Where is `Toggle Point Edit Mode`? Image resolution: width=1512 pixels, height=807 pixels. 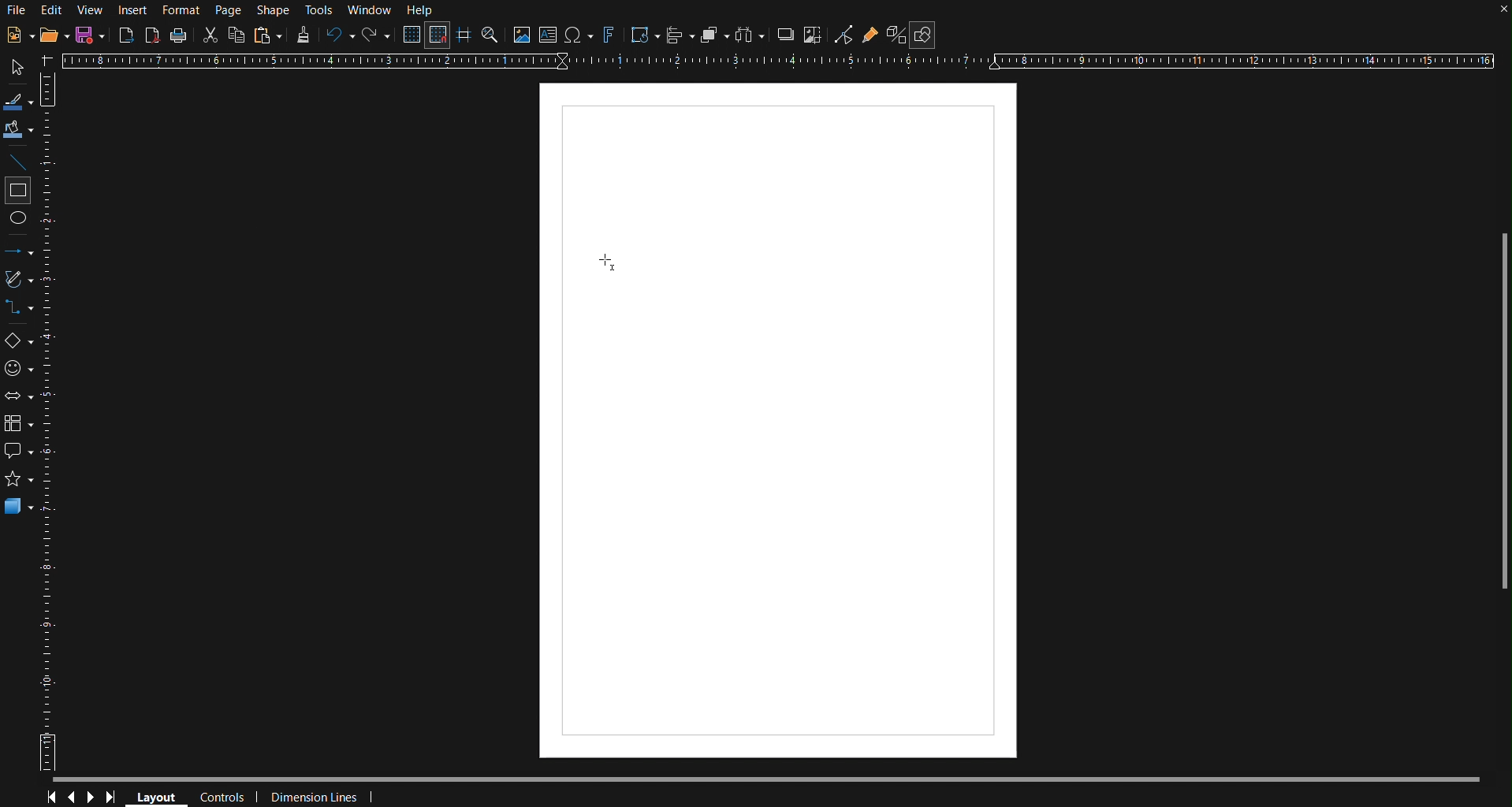 Toggle Point Edit Mode is located at coordinates (844, 35).